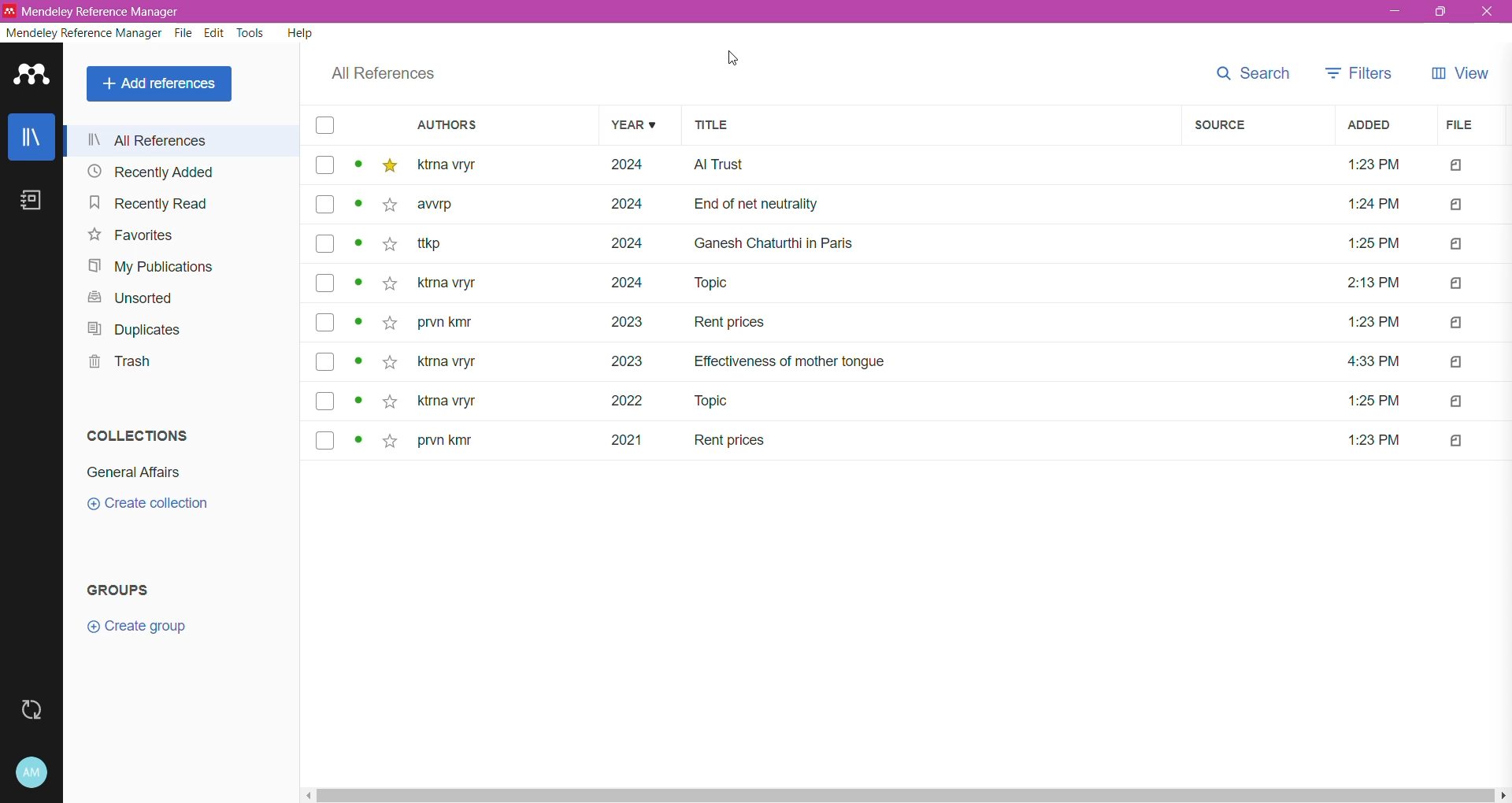 The height and width of the screenshot is (803, 1512). What do you see at coordinates (449, 166) in the screenshot?
I see `ktrna vryr` at bounding box center [449, 166].